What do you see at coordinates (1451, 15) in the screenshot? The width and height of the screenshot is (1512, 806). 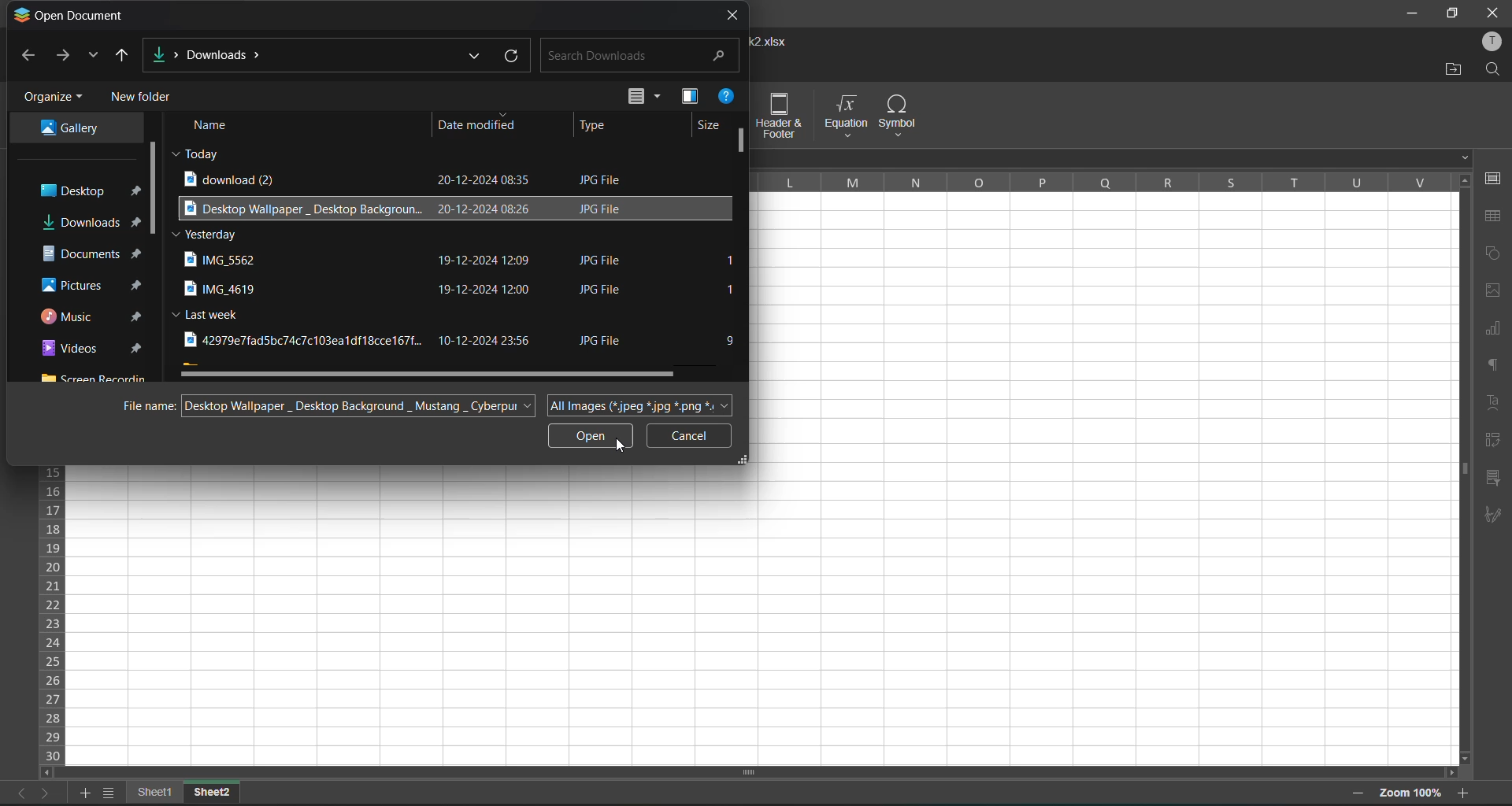 I see `maximize` at bounding box center [1451, 15].